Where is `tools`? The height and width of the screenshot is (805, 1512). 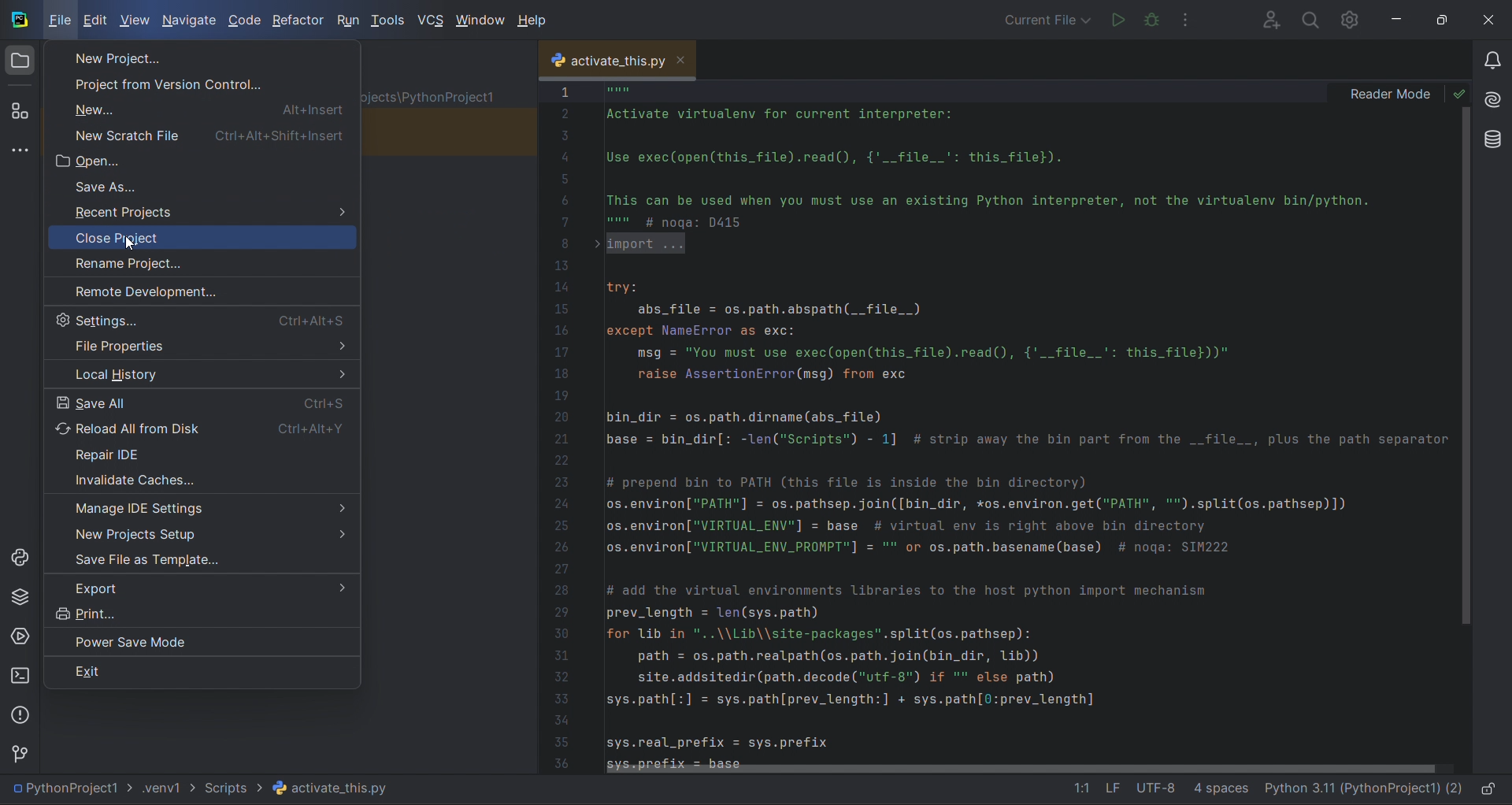 tools is located at coordinates (384, 20).